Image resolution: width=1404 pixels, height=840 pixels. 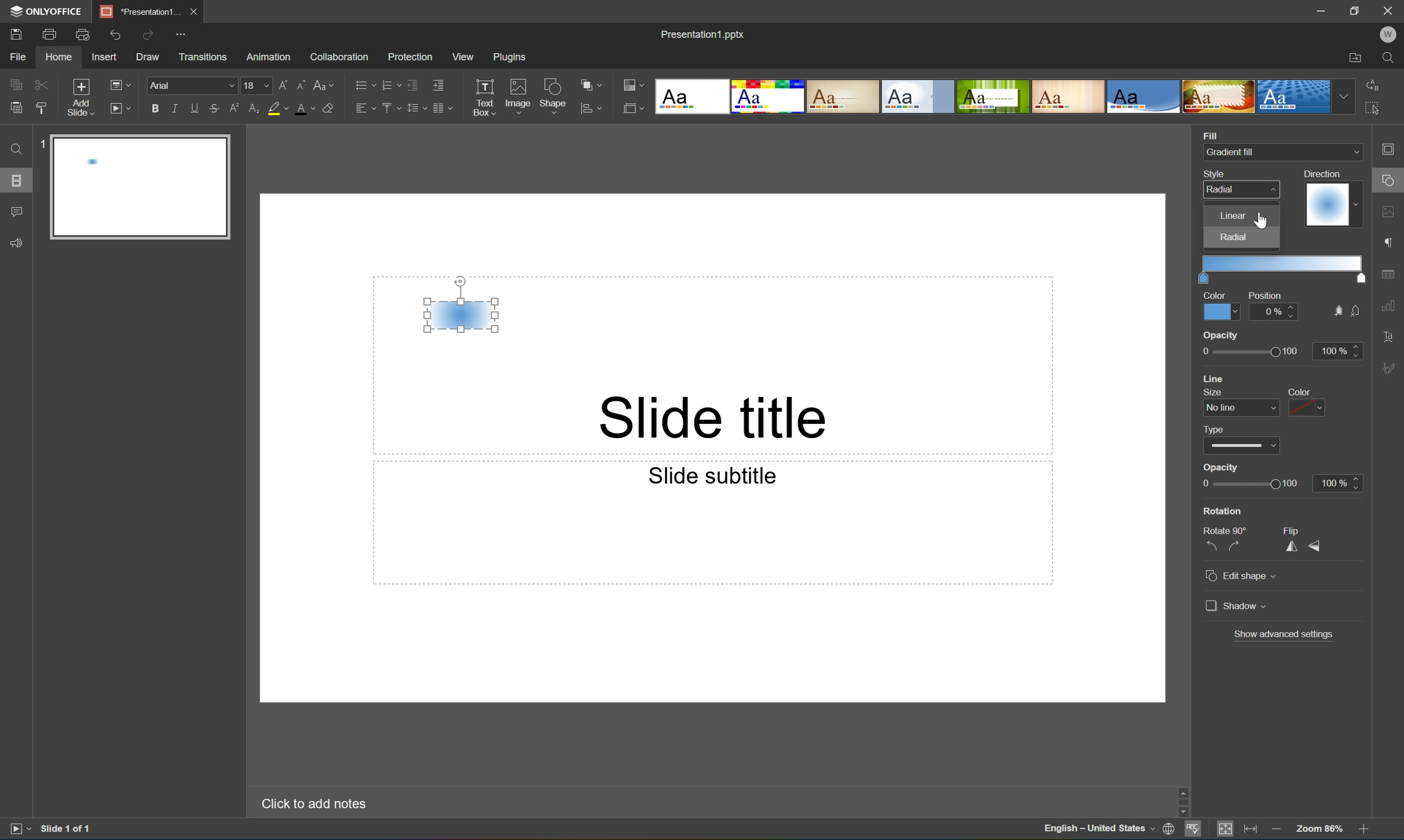 I want to click on table settings, so click(x=1390, y=275).